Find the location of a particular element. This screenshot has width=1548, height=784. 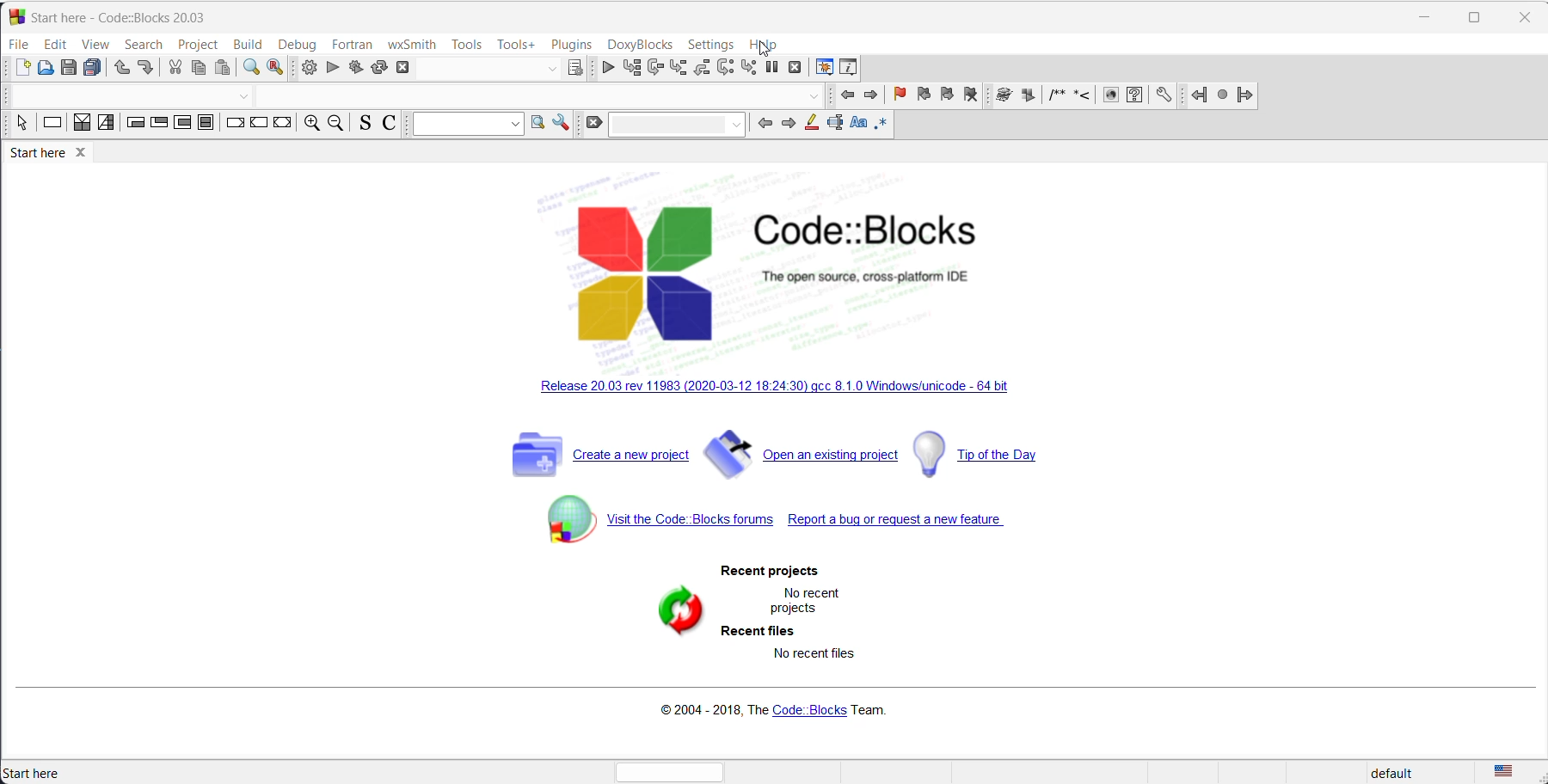

file title is located at coordinates (115, 16).